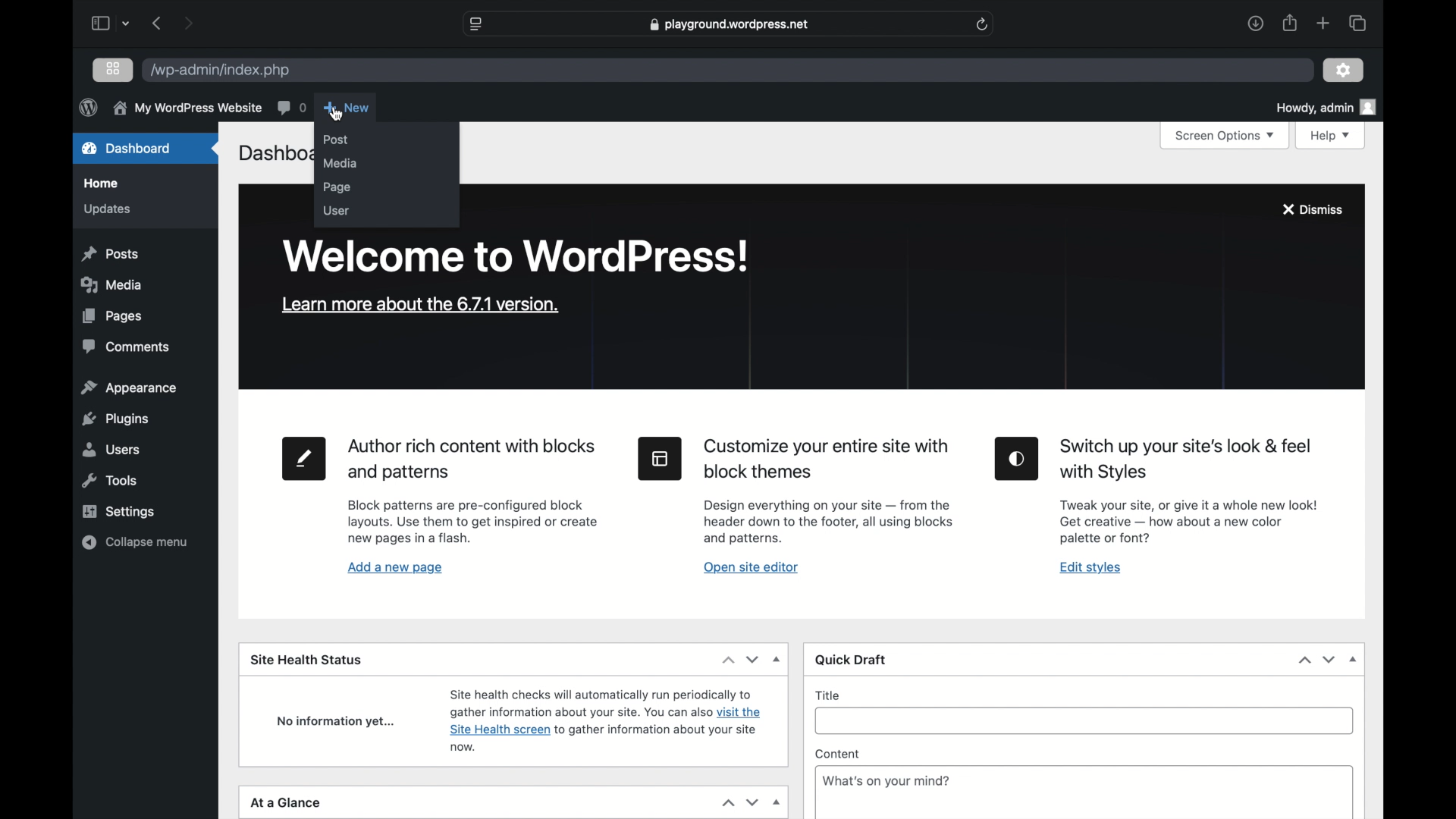 The height and width of the screenshot is (819, 1456). What do you see at coordinates (158, 24) in the screenshot?
I see `previous page` at bounding box center [158, 24].